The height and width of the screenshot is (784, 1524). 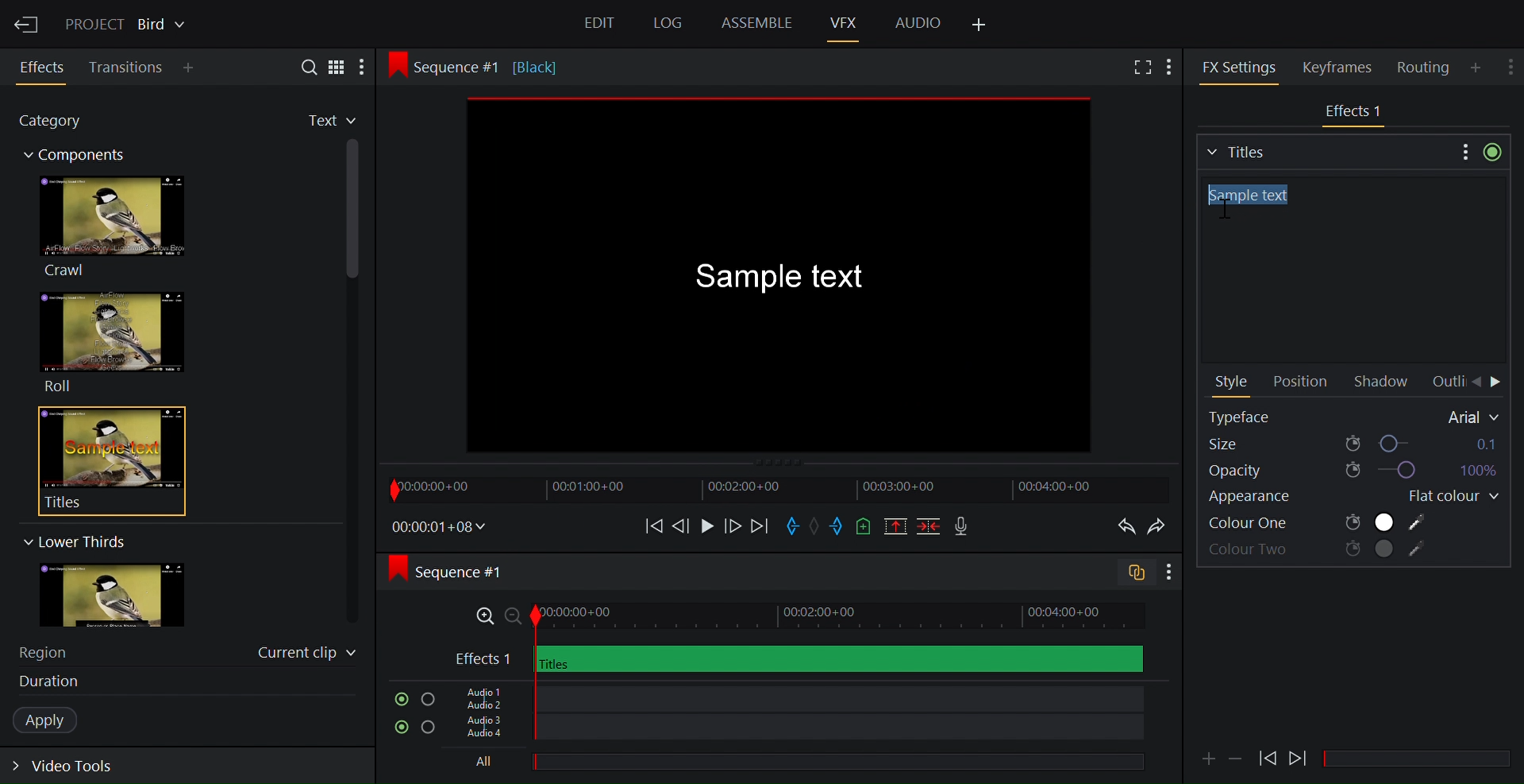 What do you see at coordinates (1268, 499) in the screenshot?
I see `Appearance` at bounding box center [1268, 499].